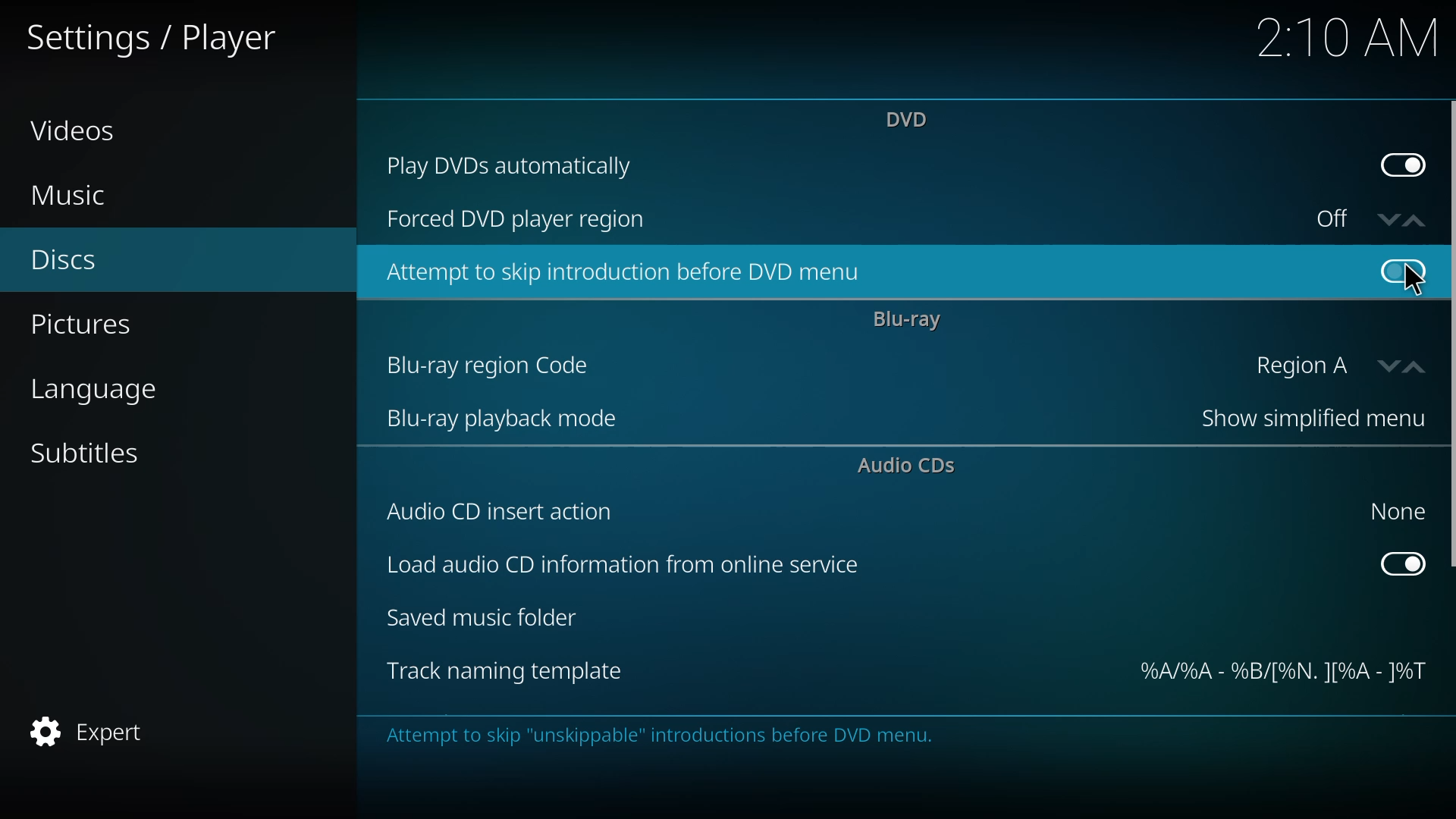 The width and height of the screenshot is (1456, 819). I want to click on audio cds, so click(910, 466).